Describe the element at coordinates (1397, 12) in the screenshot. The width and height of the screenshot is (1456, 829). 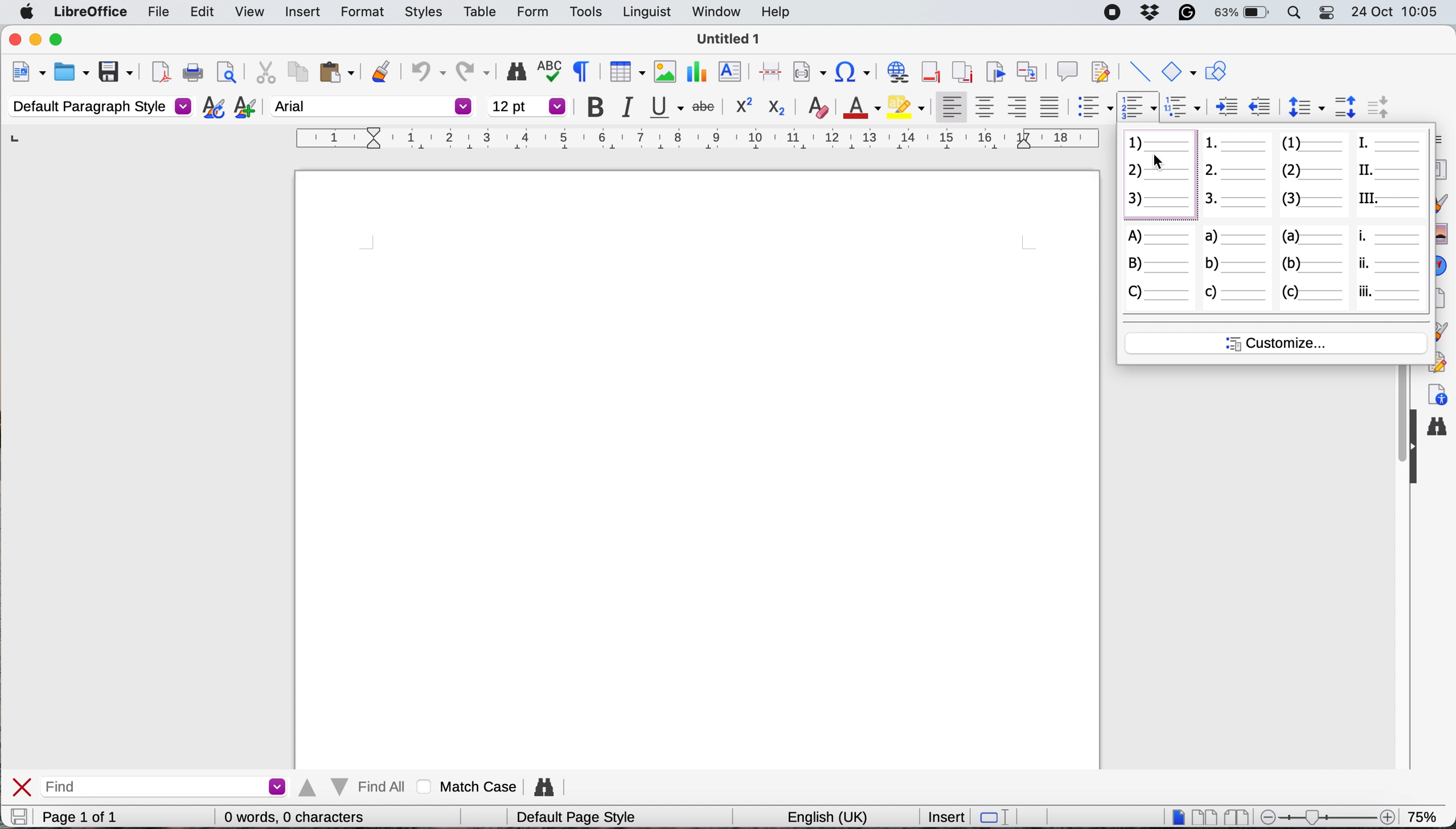
I see `24-Oct 10:05` at that location.